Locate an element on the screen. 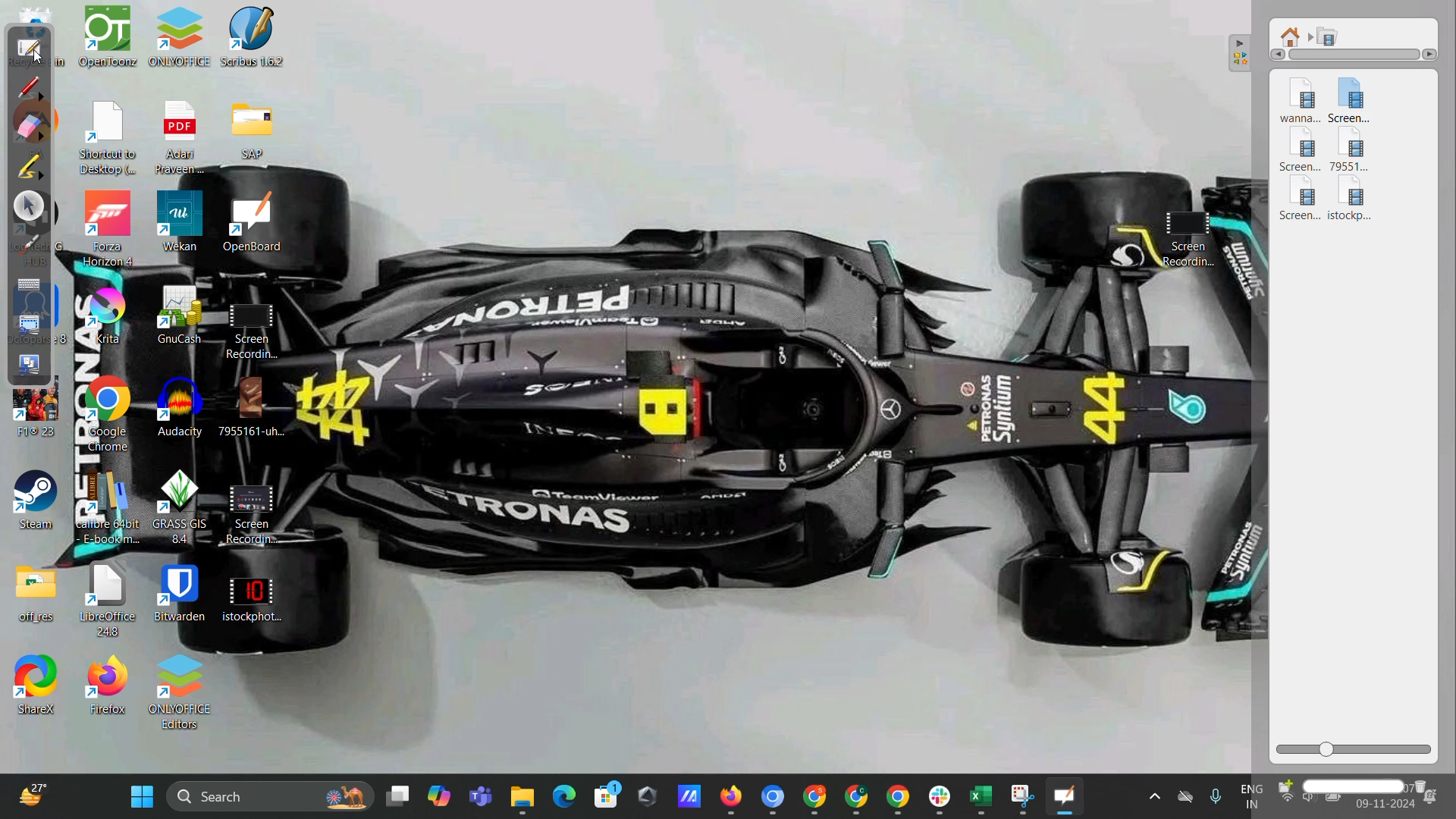 The image size is (1456, 819). Screen Recording is located at coordinates (1188, 242).